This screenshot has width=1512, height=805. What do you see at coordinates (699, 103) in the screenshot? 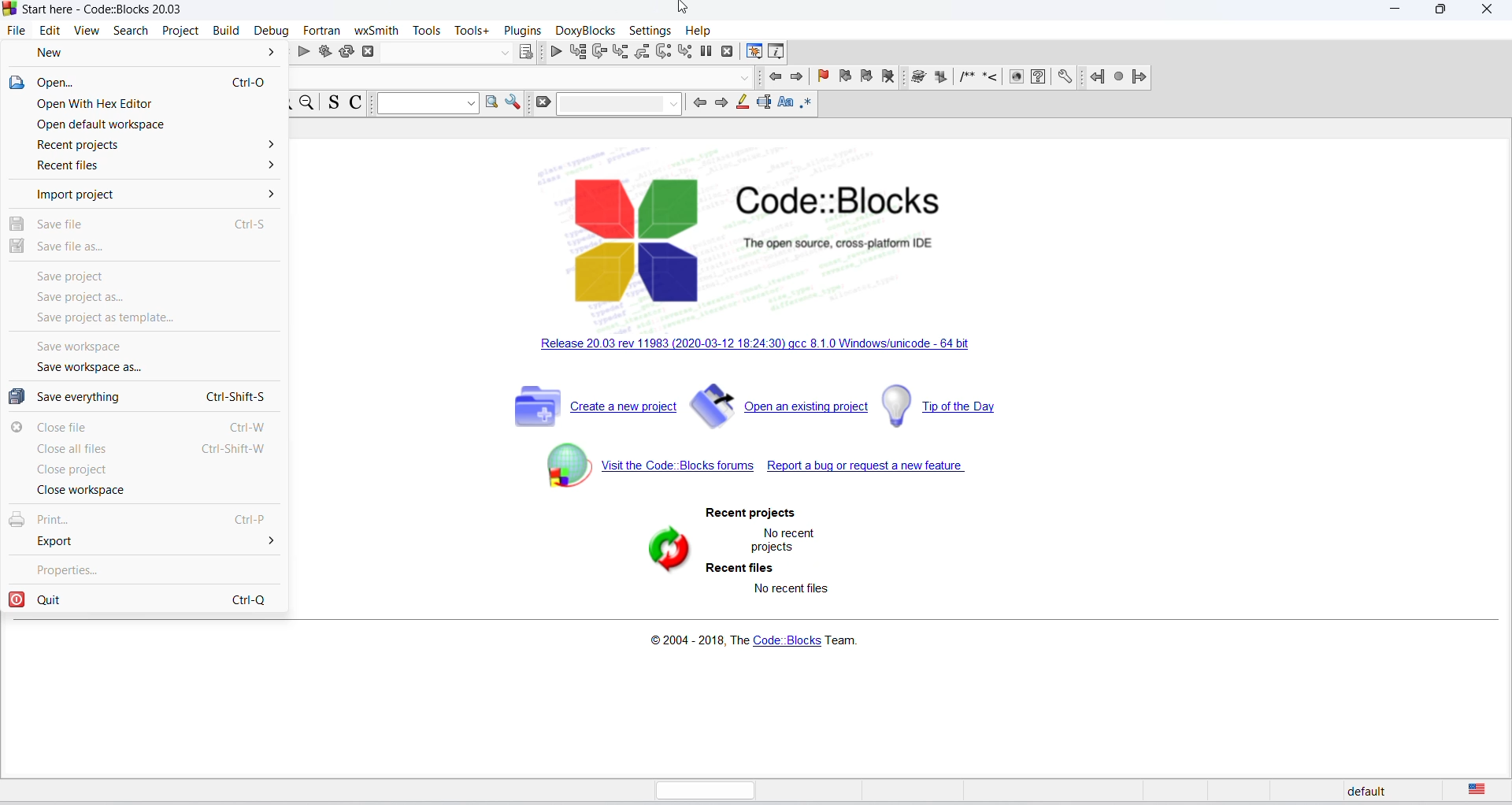
I see `previous` at bounding box center [699, 103].